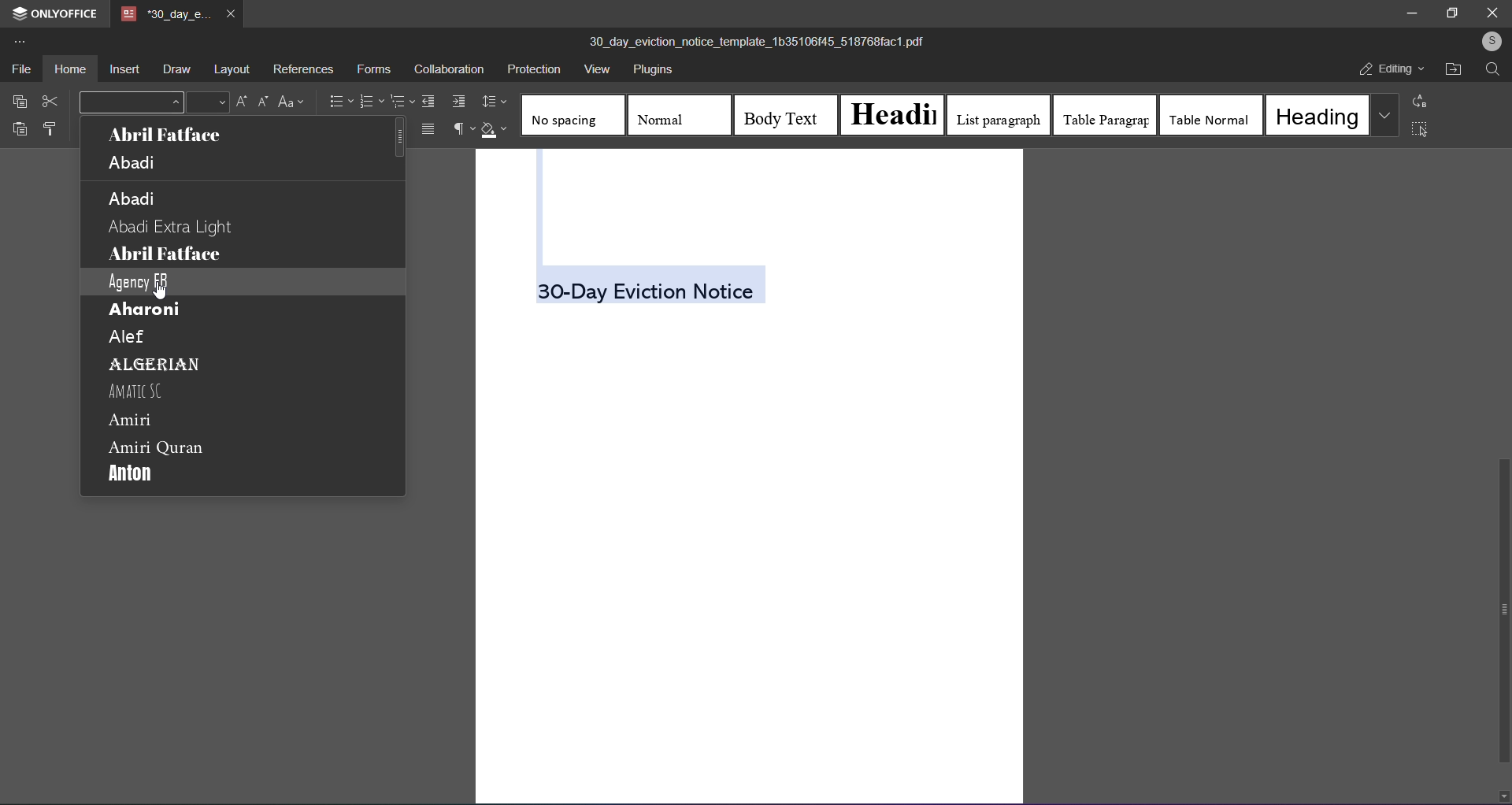 The height and width of the screenshot is (805, 1512). What do you see at coordinates (265, 101) in the screenshot?
I see `Decrease Font Size` at bounding box center [265, 101].